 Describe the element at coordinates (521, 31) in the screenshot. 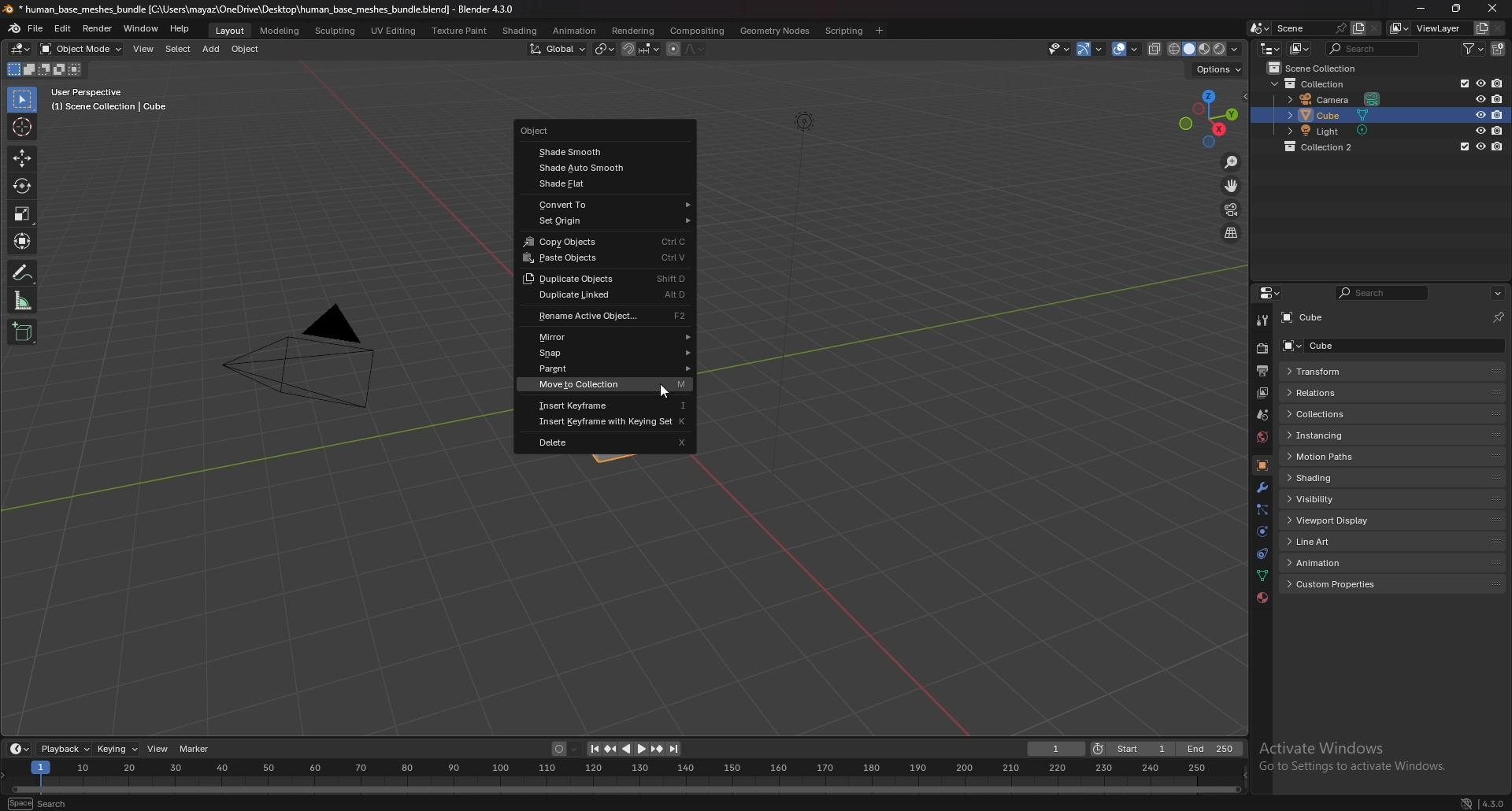

I see `shading` at that location.